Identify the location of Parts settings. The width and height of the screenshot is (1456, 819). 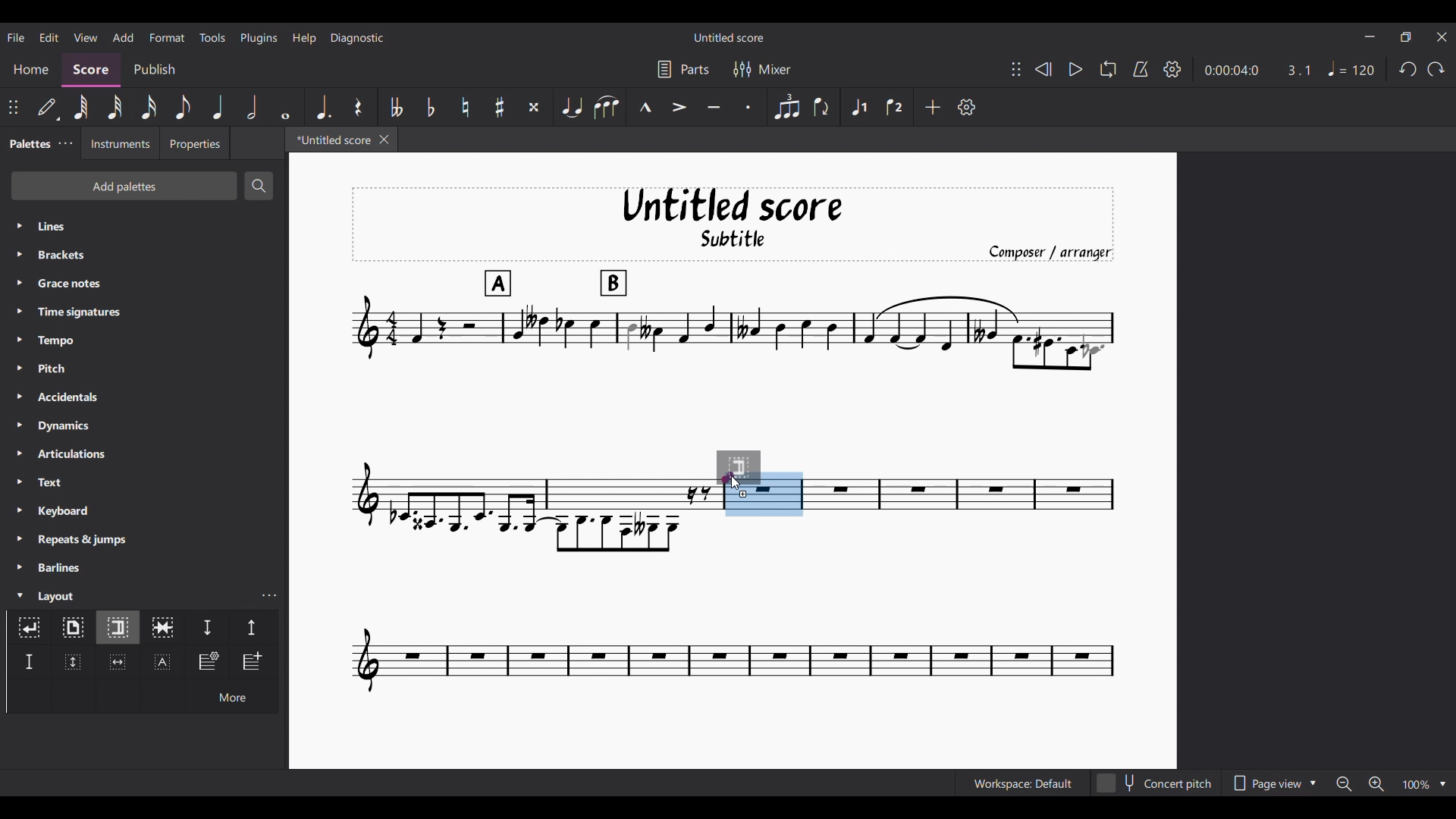
(684, 69).